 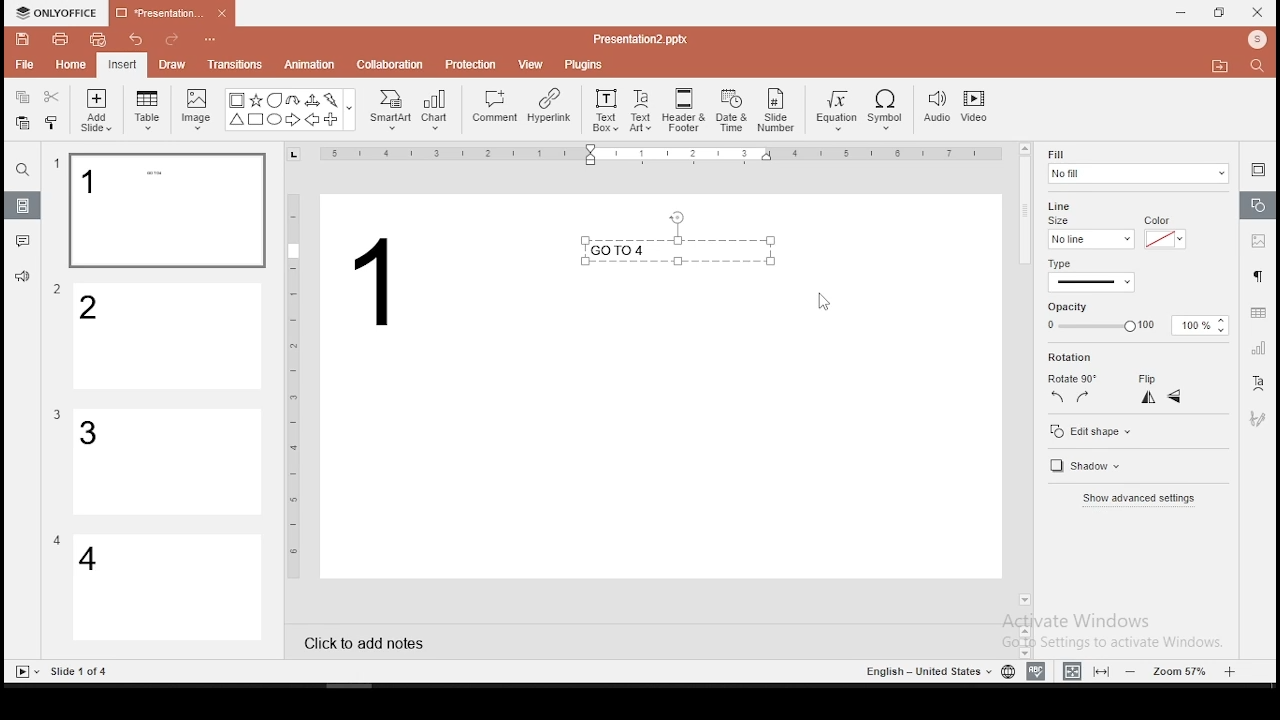 I want to click on support and feedback, so click(x=22, y=279).